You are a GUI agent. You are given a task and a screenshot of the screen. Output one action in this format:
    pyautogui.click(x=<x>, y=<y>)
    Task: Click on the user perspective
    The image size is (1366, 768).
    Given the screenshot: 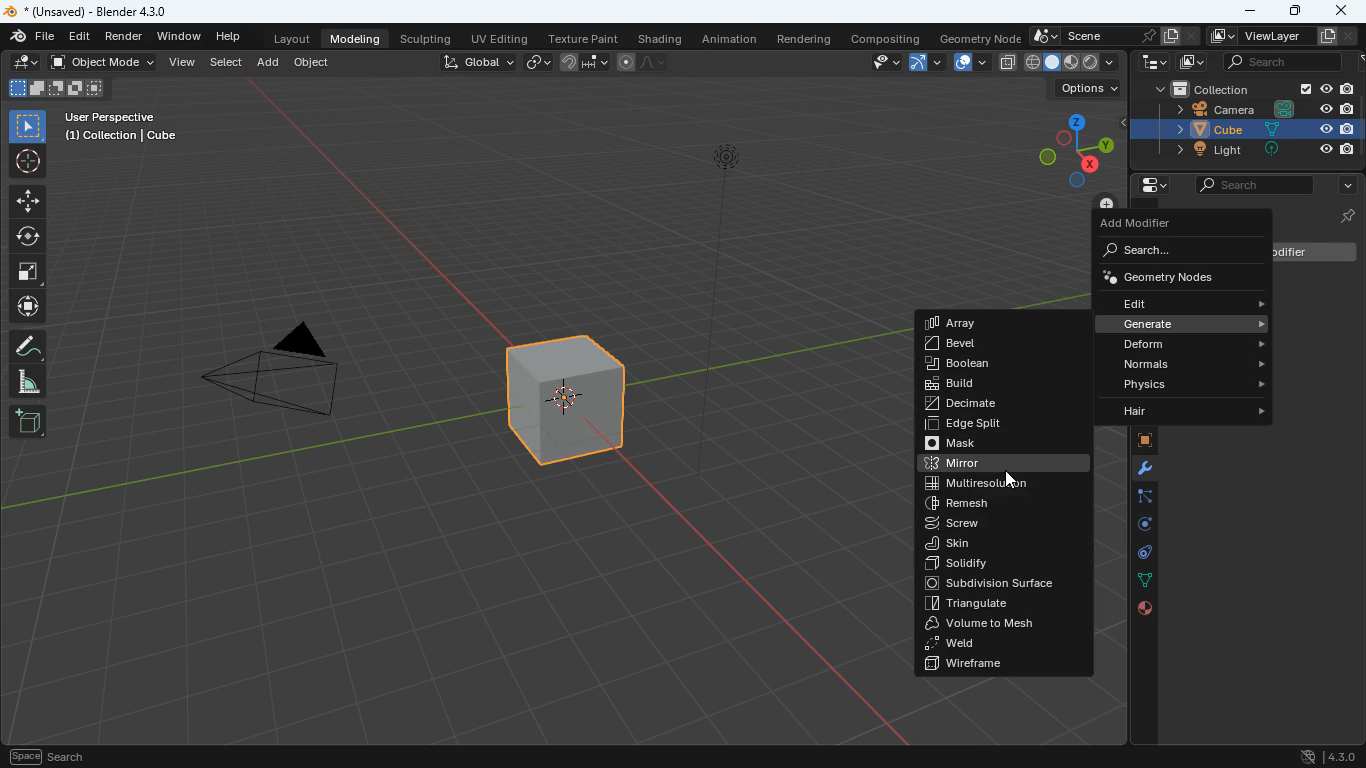 What is the action you would take?
    pyautogui.click(x=124, y=128)
    